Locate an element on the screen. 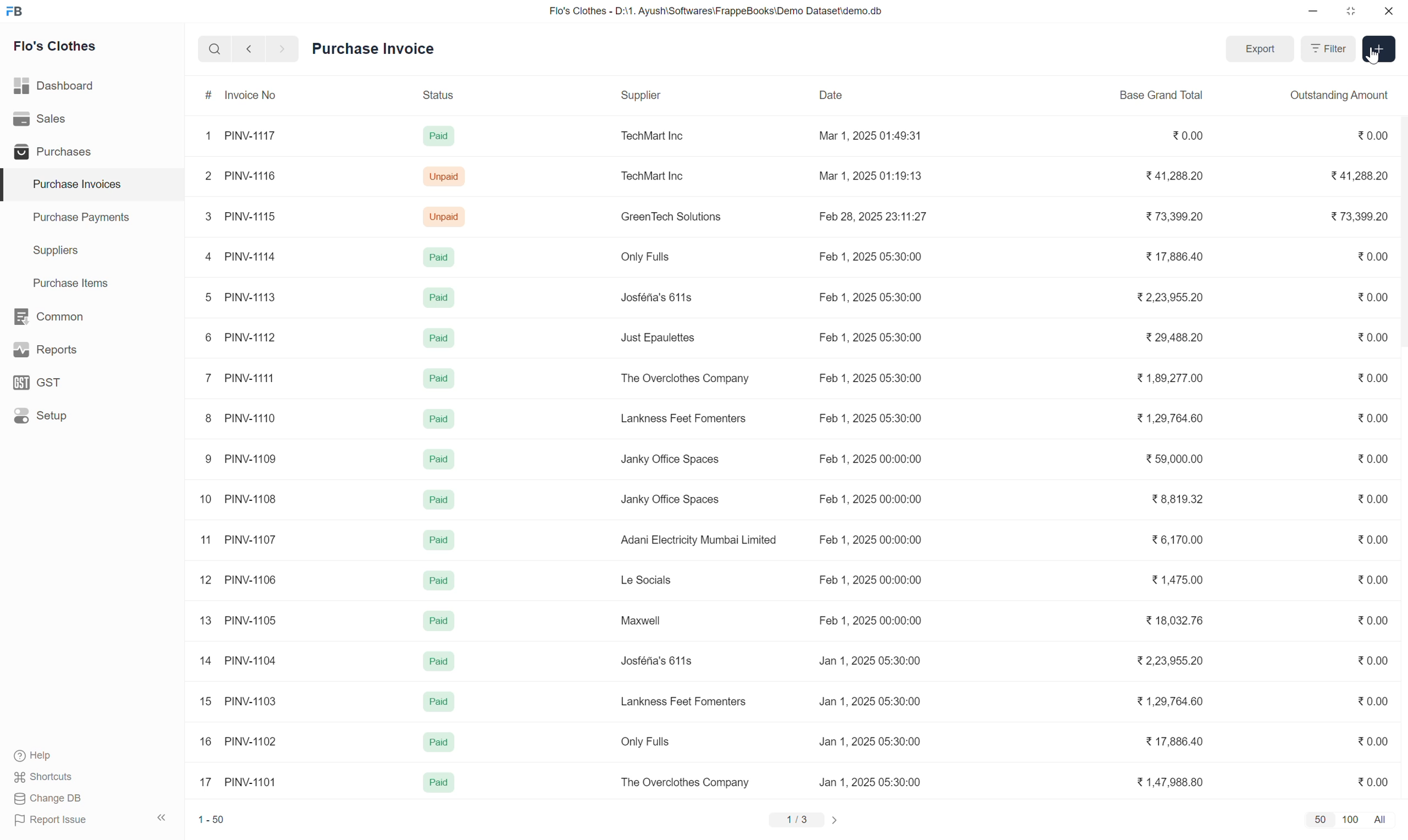 This screenshot has width=1408, height=840. next is located at coordinates (284, 49).